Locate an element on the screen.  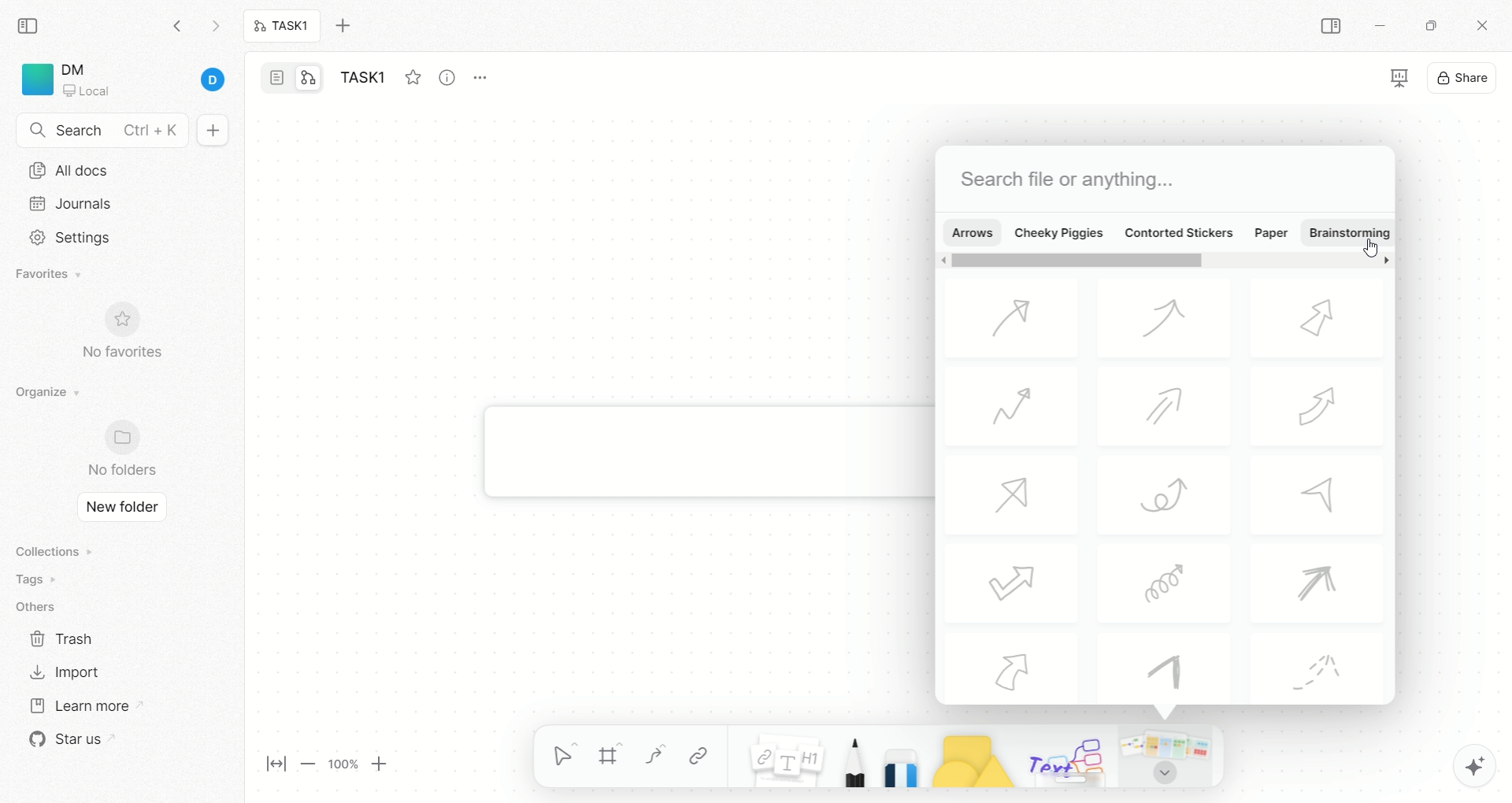
paper is located at coordinates (1272, 232).